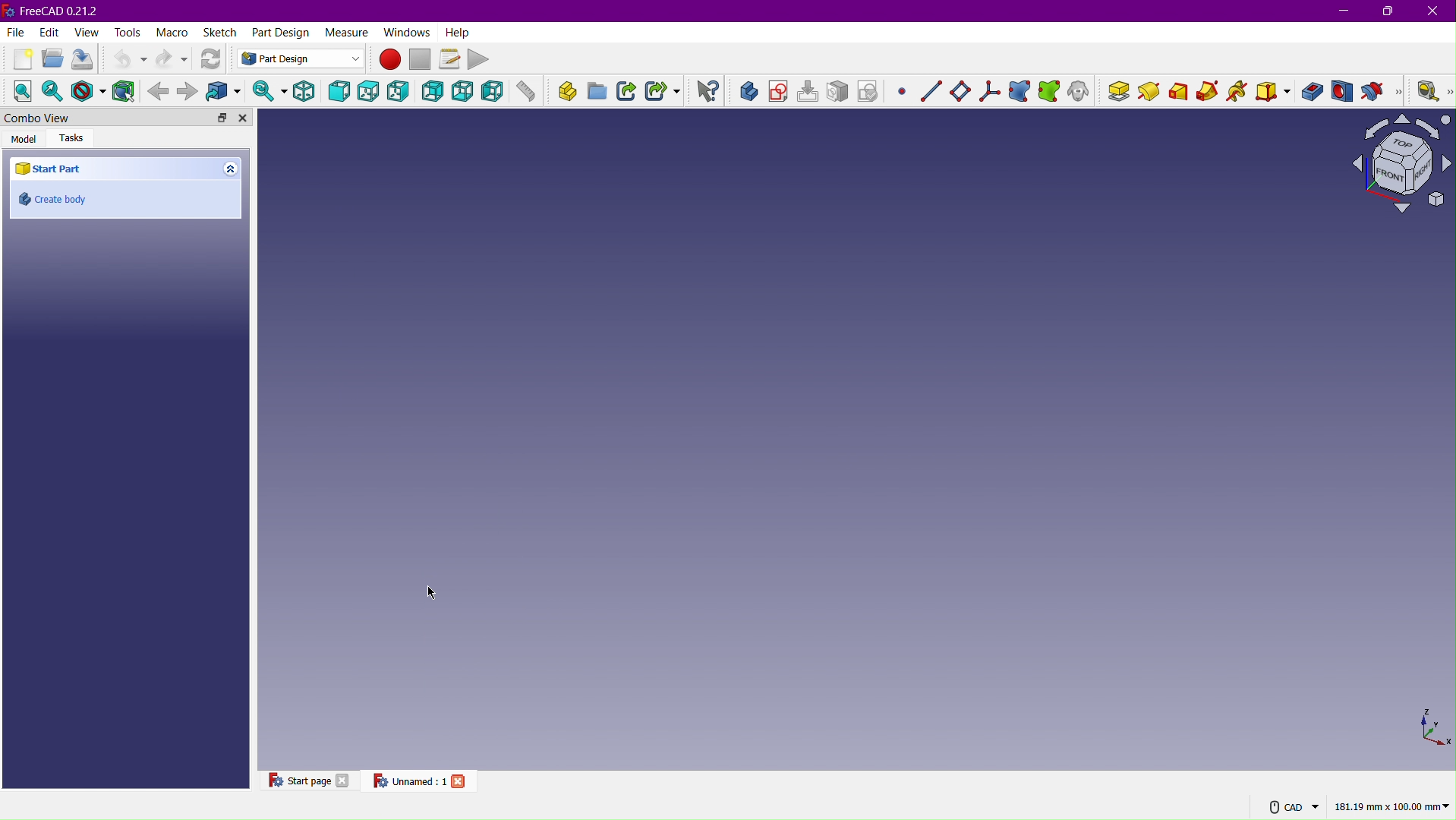  Describe the element at coordinates (23, 138) in the screenshot. I see `Model` at that location.